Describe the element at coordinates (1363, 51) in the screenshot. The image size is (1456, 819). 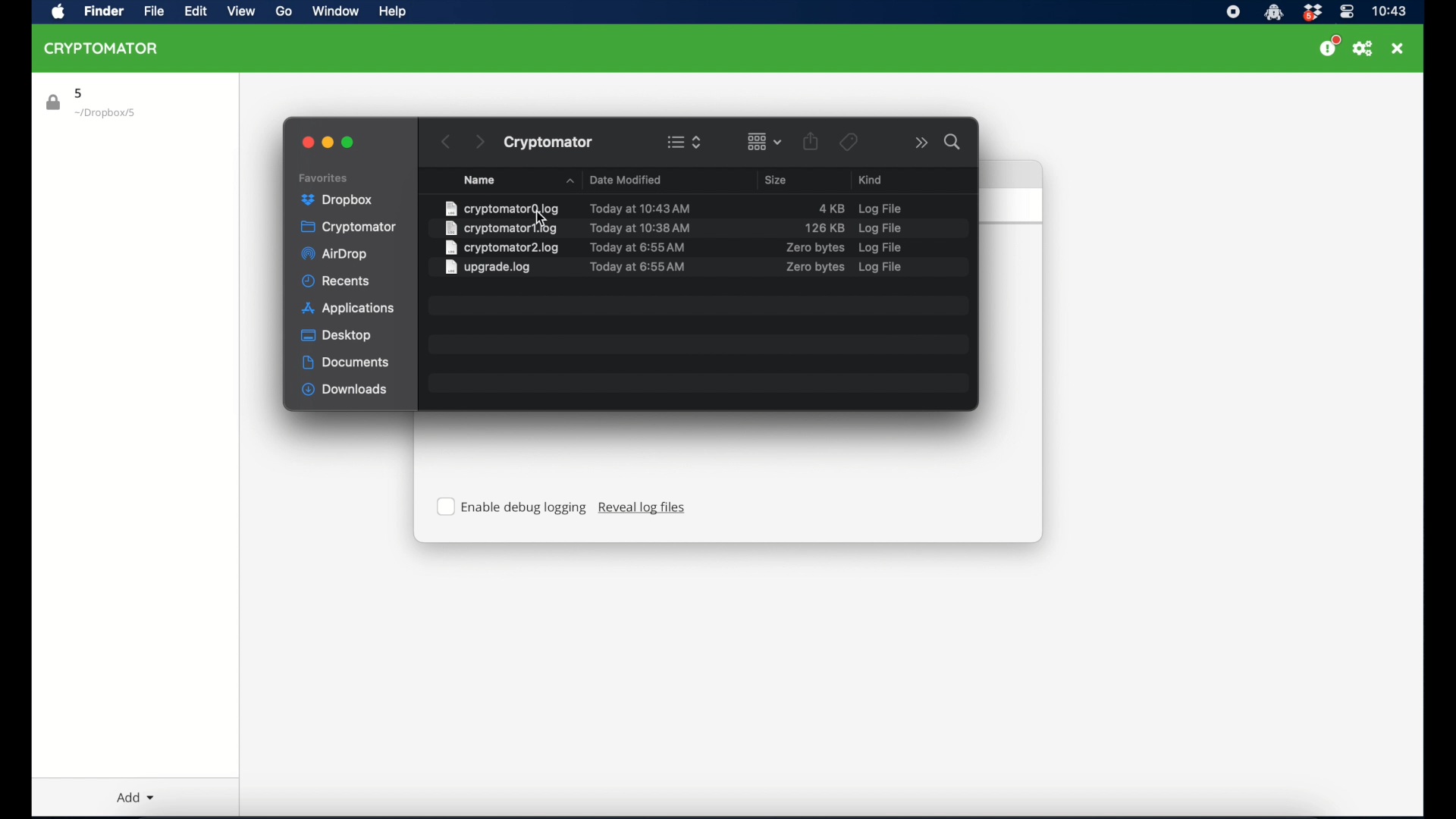
I see `preferences` at that location.